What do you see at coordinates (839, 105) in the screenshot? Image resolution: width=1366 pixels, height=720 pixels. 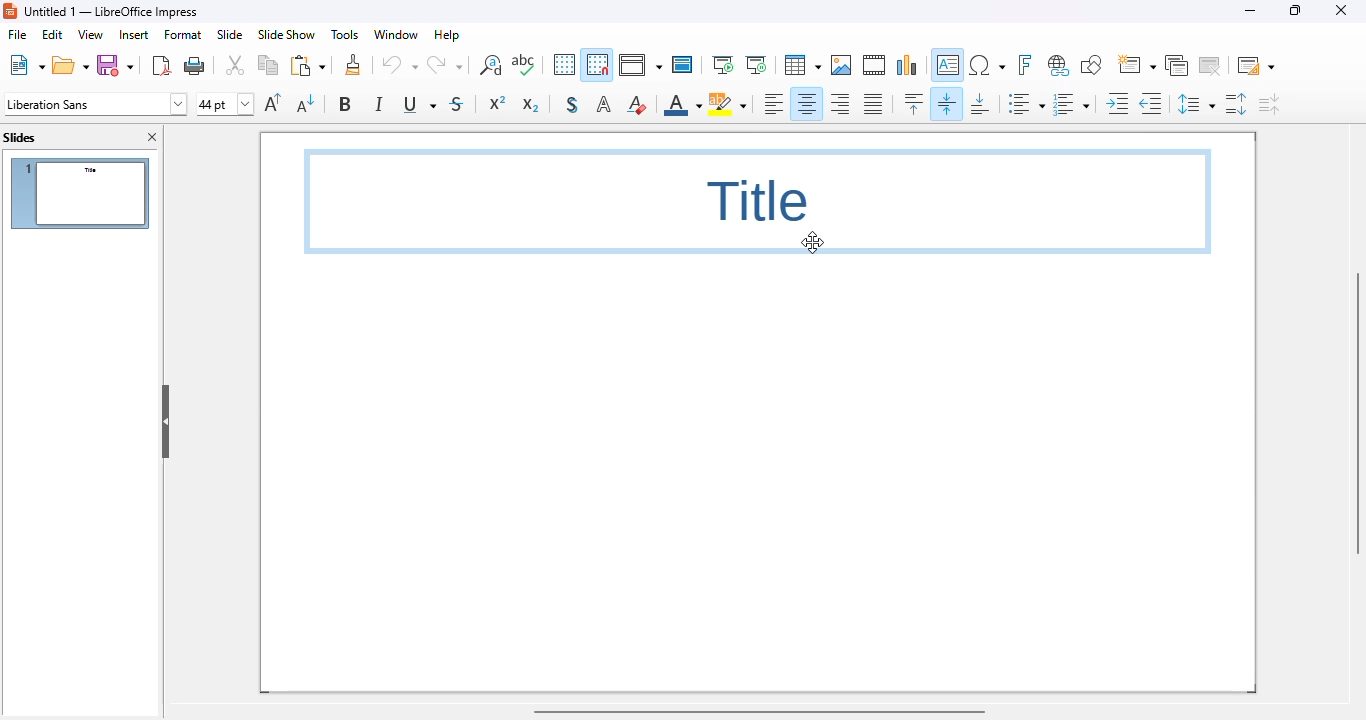 I see `align right` at bounding box center [839, 105].